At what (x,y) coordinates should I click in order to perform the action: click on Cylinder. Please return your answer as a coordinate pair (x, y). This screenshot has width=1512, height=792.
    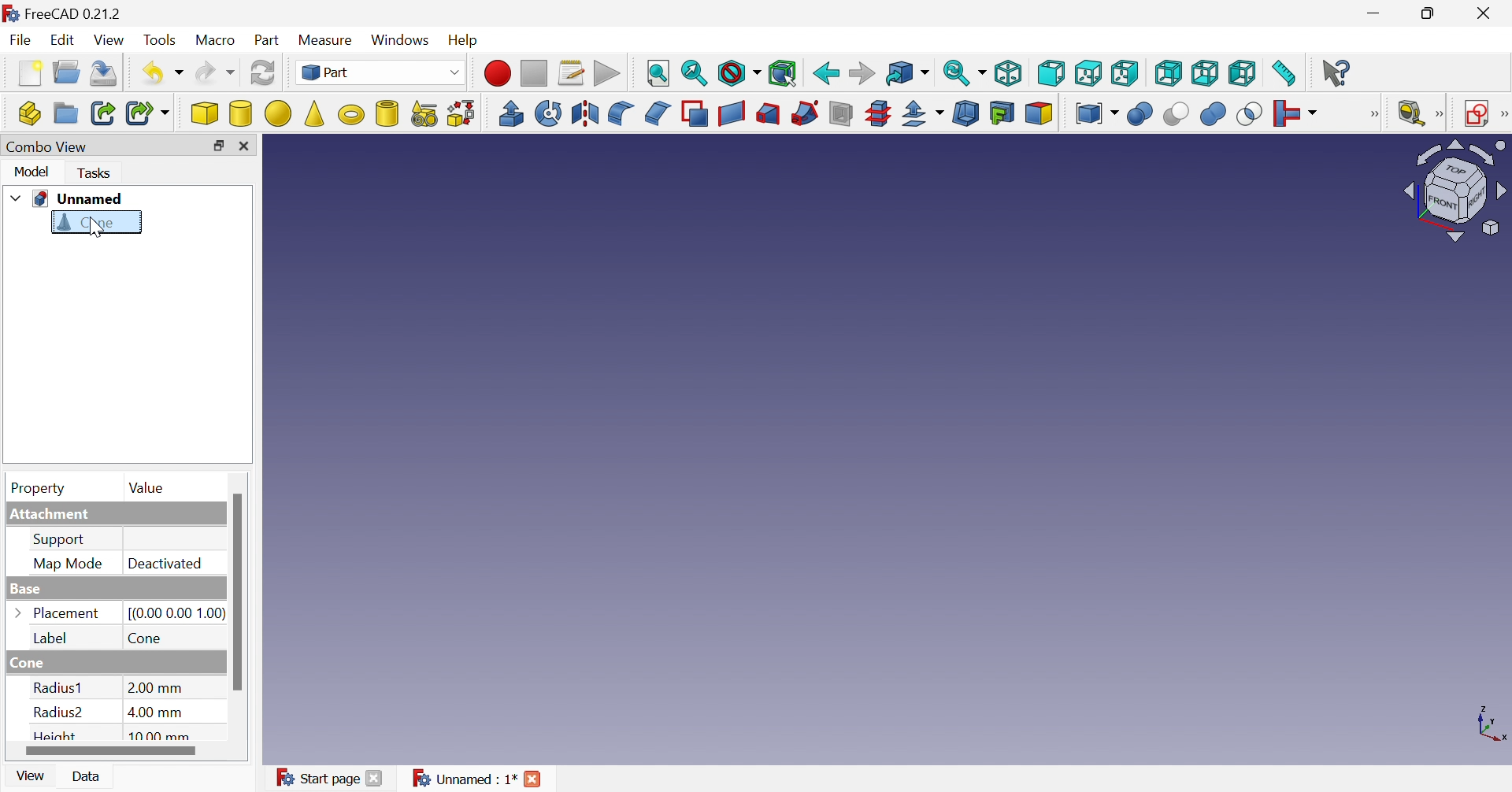
    Looking at the image, I should click on (239, 115).